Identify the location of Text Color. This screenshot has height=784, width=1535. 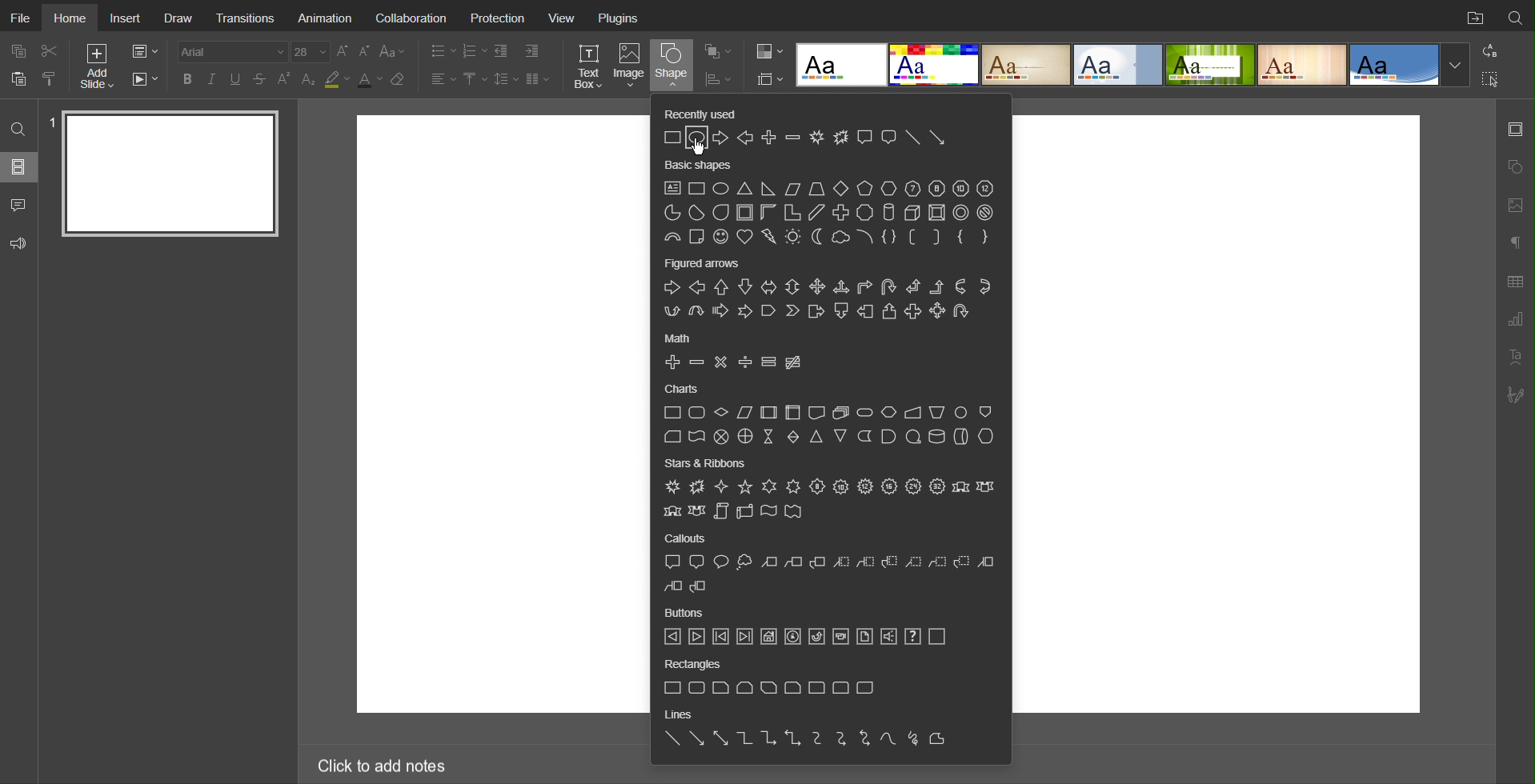
(369, 80).